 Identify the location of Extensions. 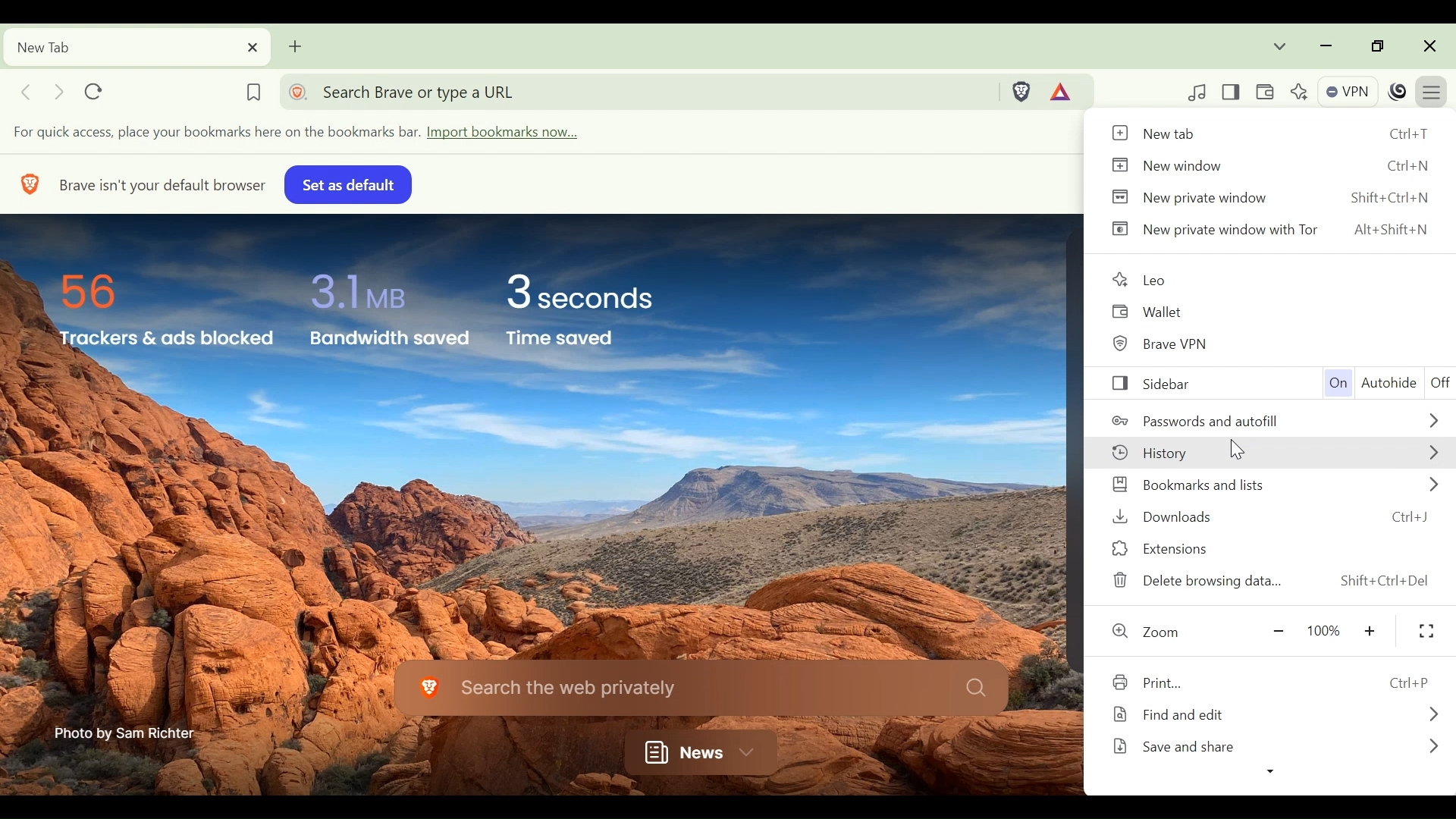
(1273, 548).